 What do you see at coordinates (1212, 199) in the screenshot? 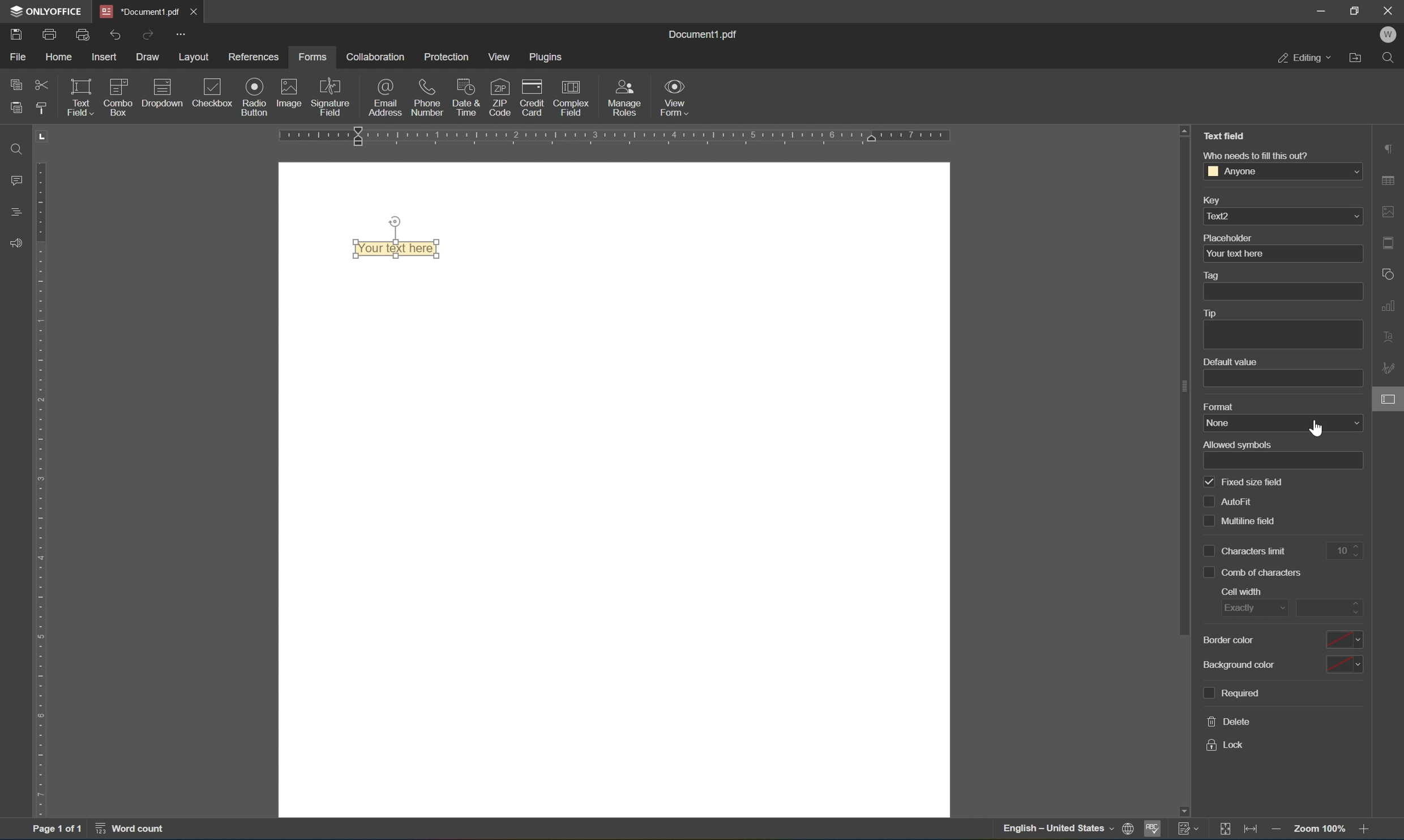
I see `key` at bounding box center [1212, 199].